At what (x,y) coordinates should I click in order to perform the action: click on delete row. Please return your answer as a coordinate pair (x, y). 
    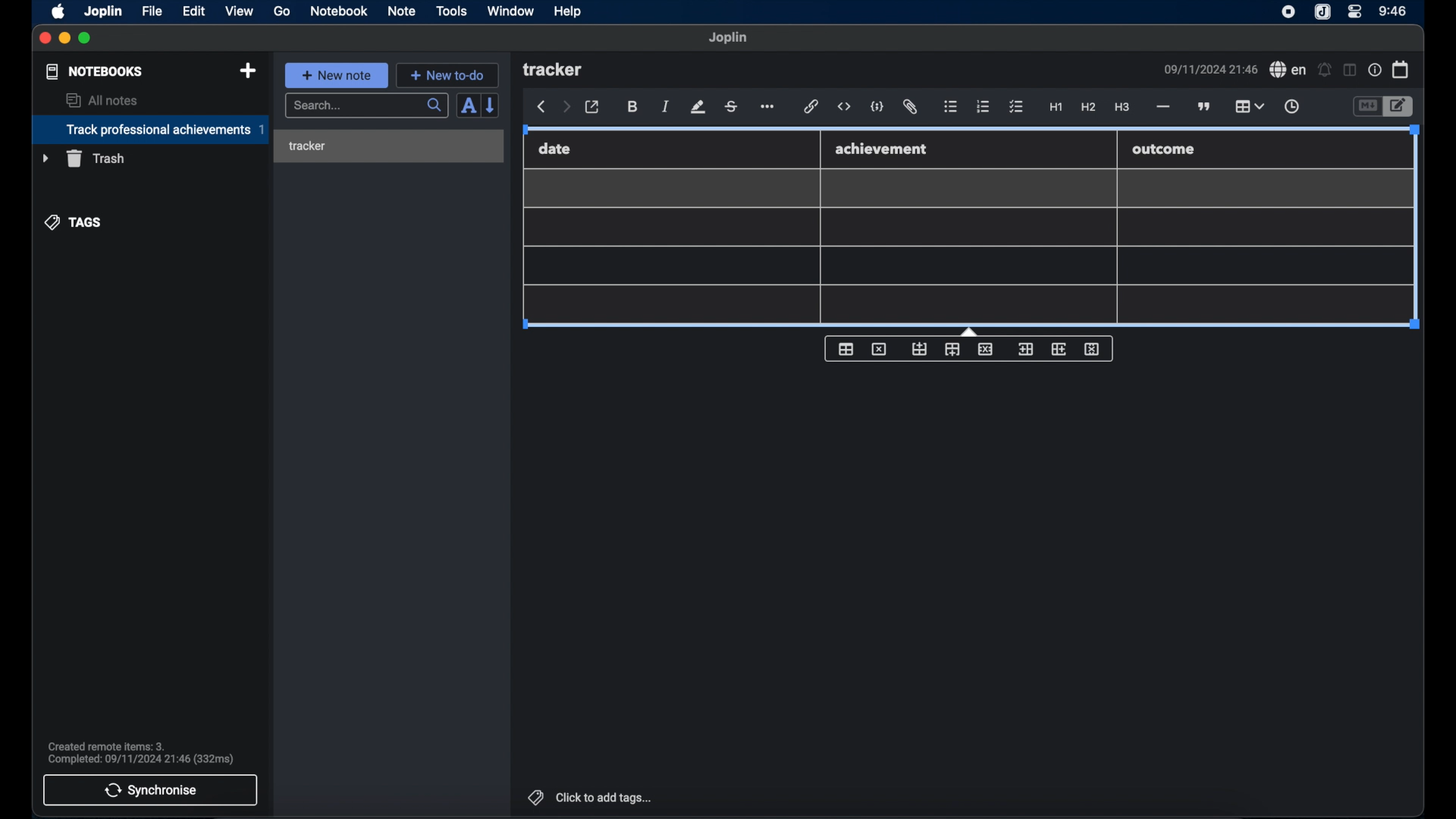
    Looking at the image, I should click on (985, 349).